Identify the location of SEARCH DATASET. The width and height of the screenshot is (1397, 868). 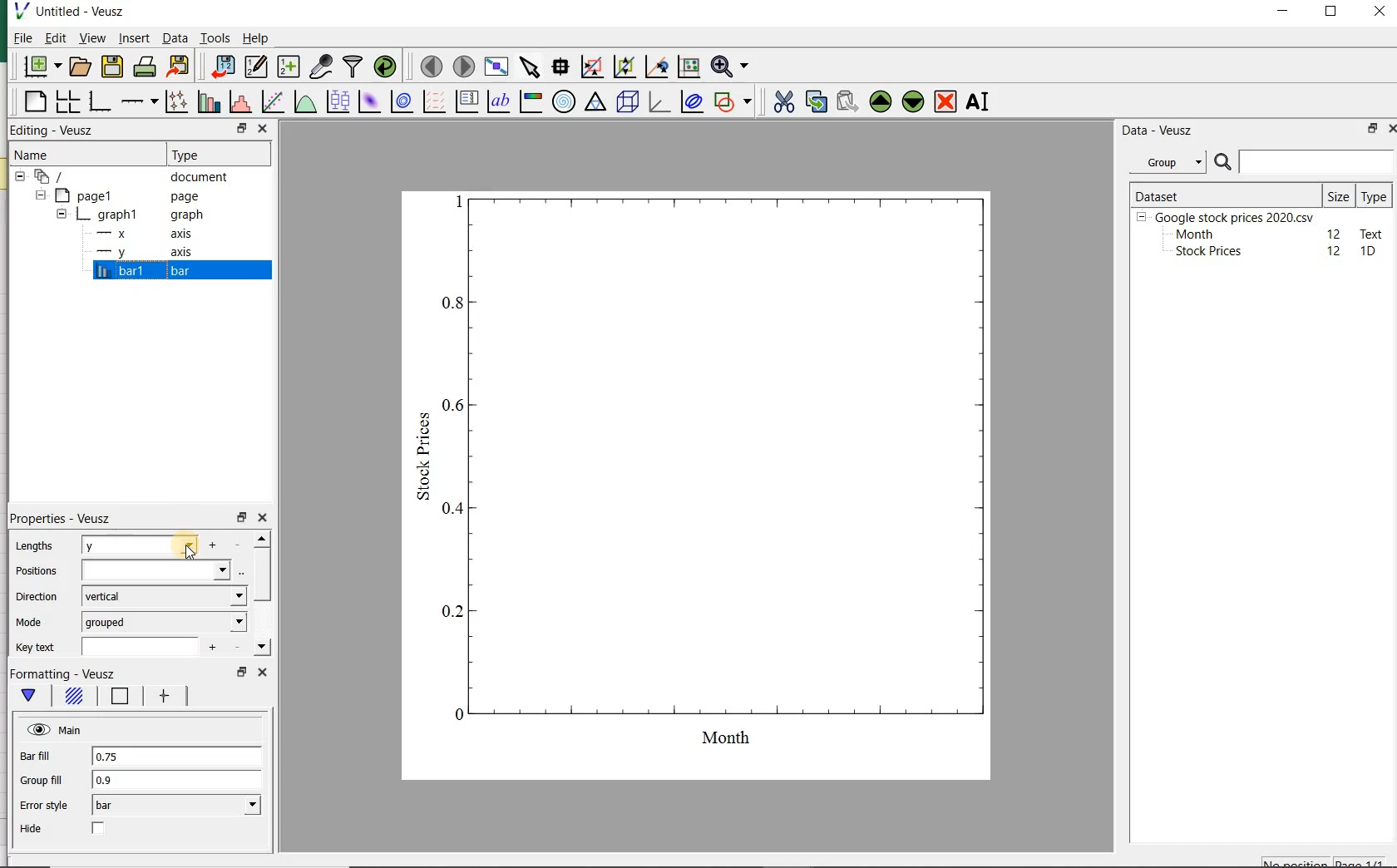
(1304, 161).